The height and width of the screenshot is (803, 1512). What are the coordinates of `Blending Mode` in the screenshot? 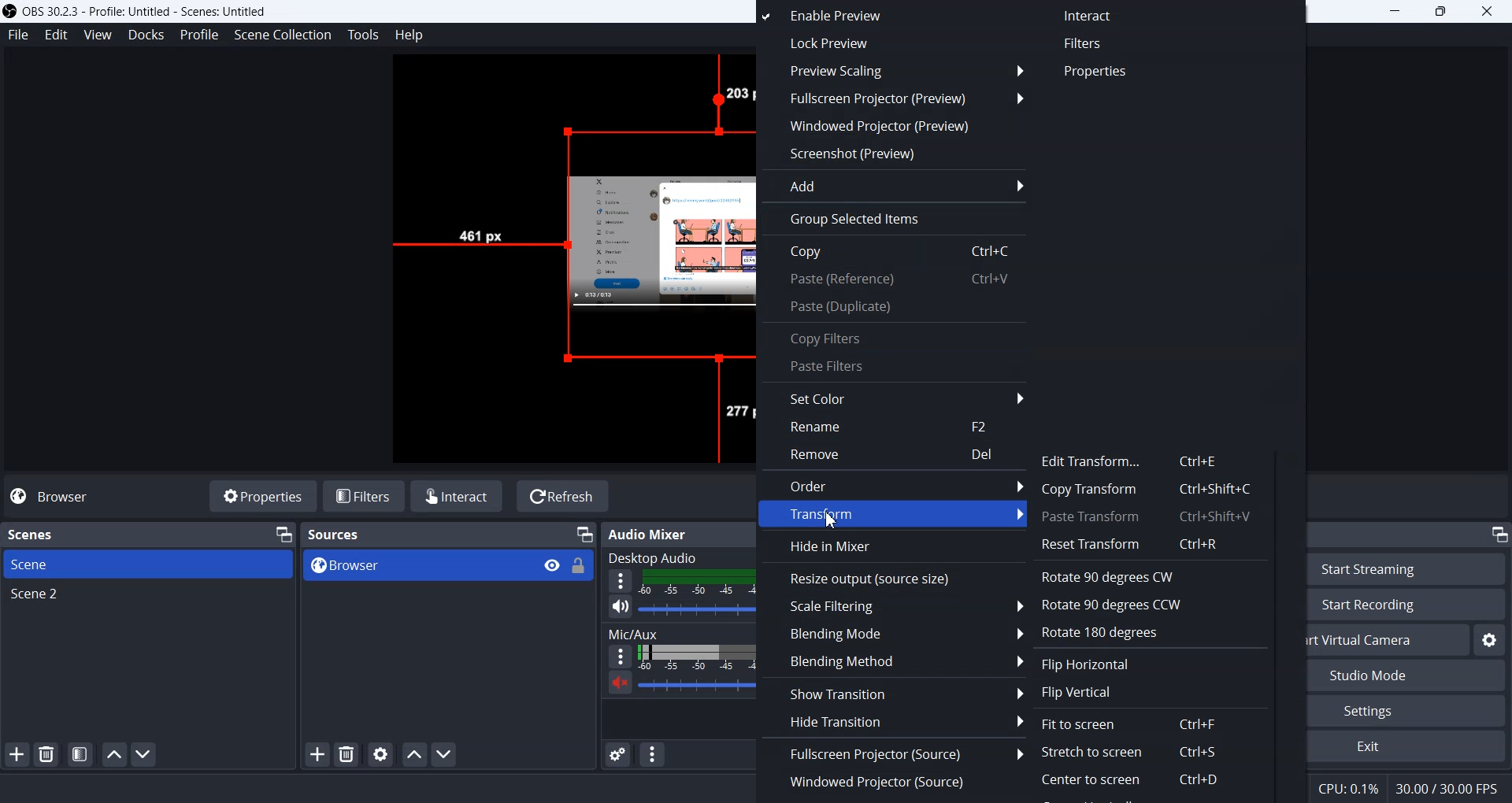 It's located at (892, 634).